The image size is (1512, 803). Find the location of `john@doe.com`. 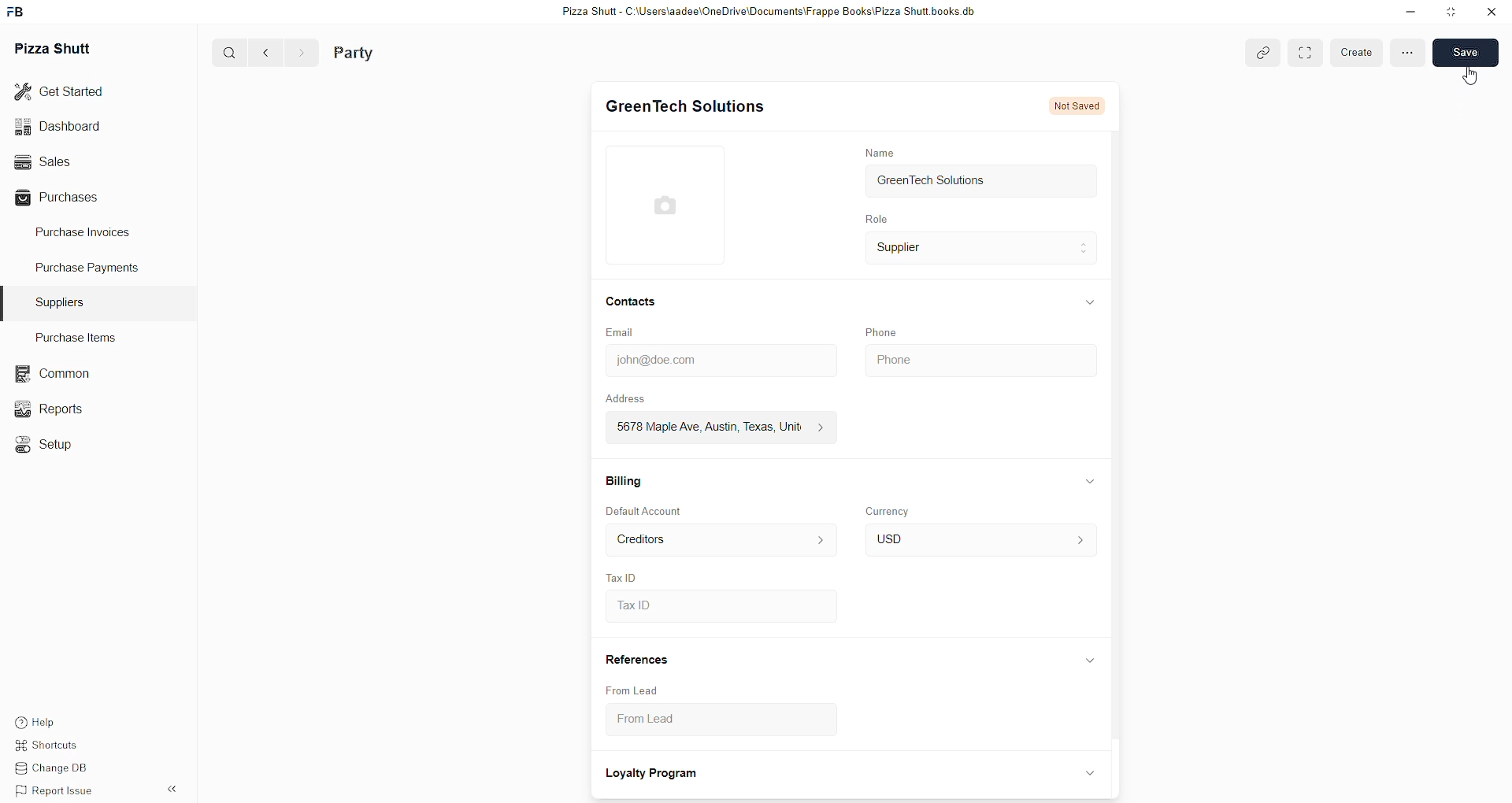

john@doe.com is located at coordinates (717, 361).